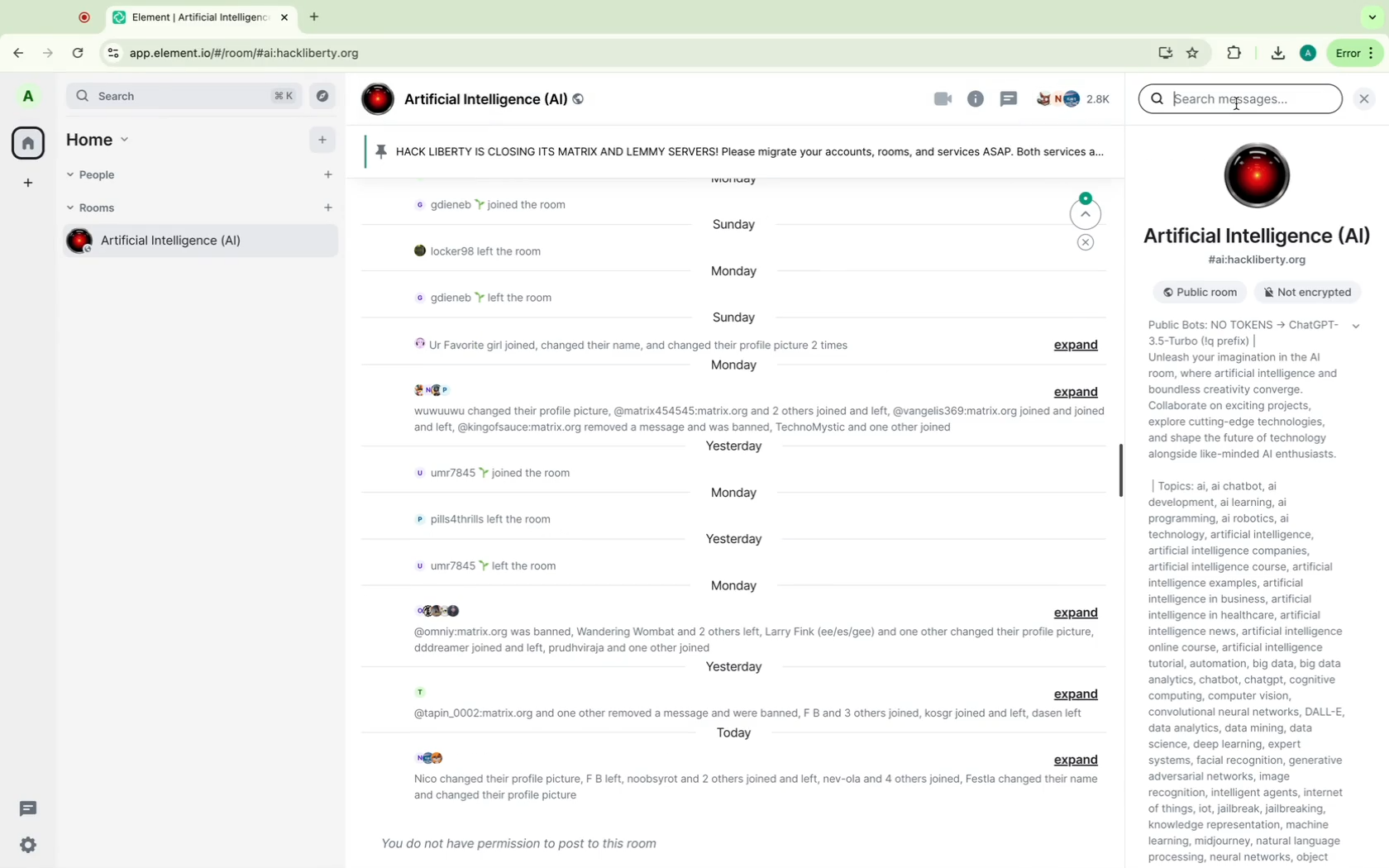 The height and width of the screenshot is (868, 1389). What do you see at coordinates (1238, 103) in the screenshot?
I see `cursor` at bounding box center [1238, 103].